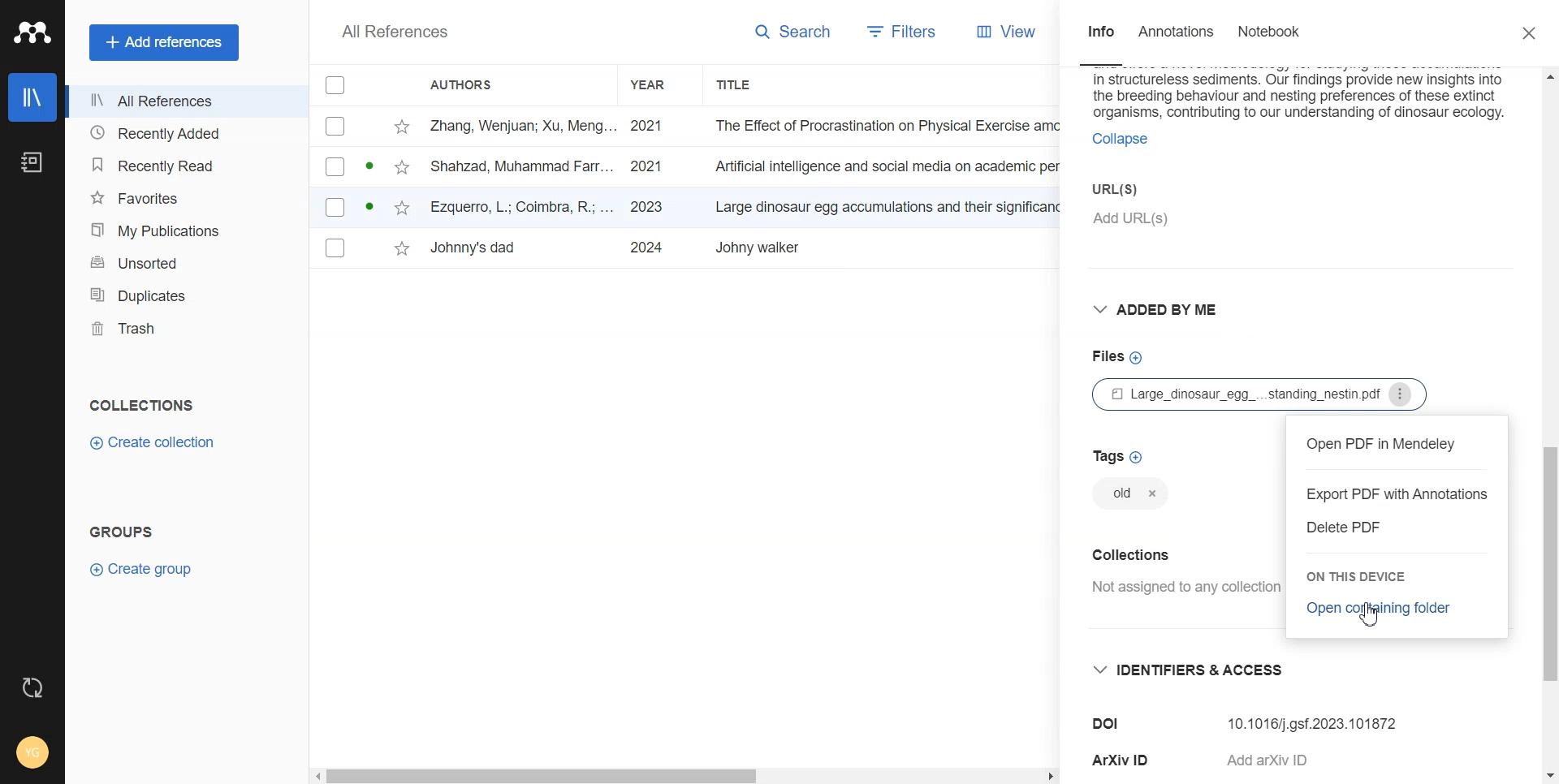 The height and width of the screenshot is (784, 1559). I want to click on Duplicates, so click(179, 293).